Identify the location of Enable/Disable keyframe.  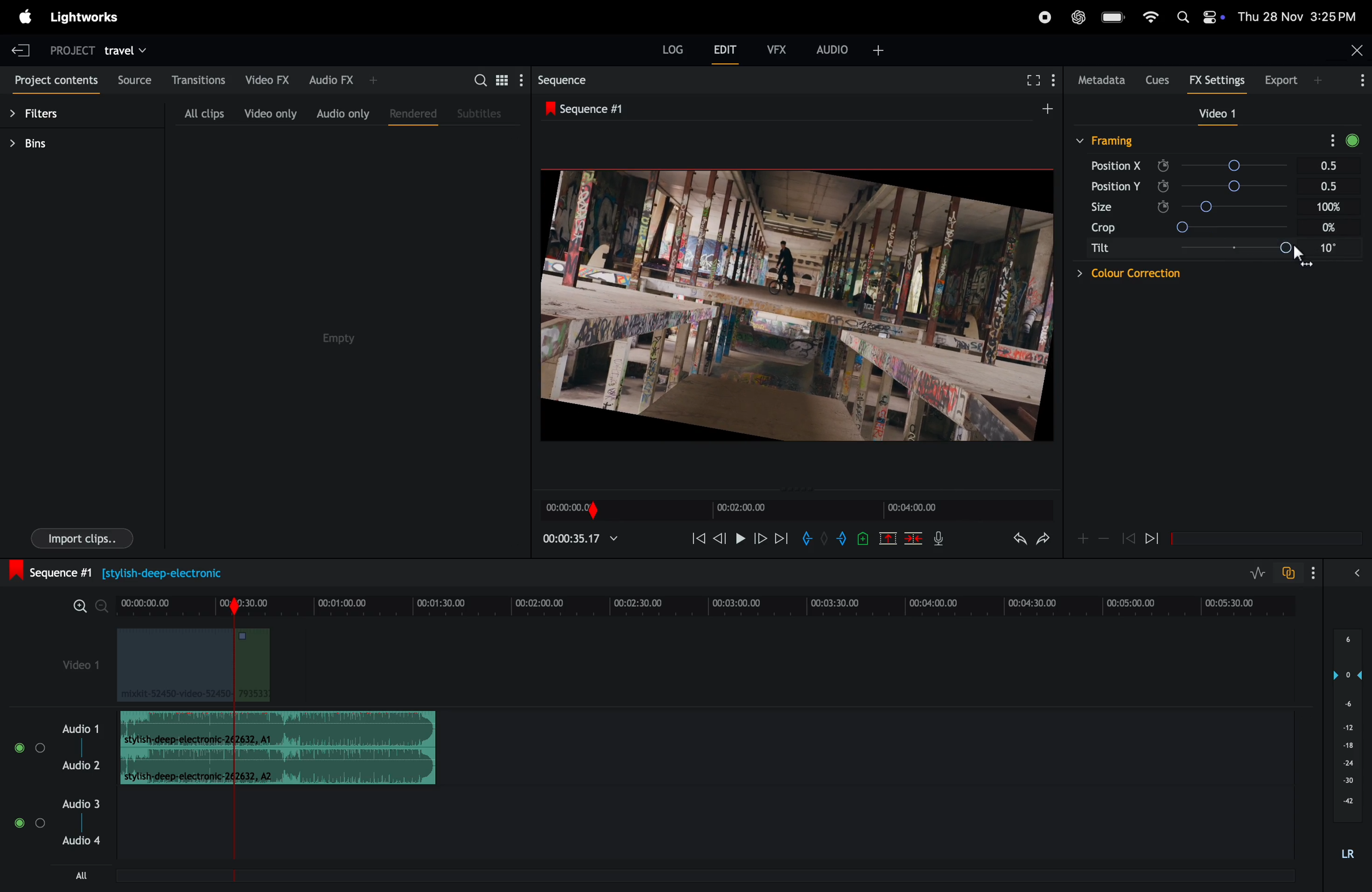
(1166, 185).